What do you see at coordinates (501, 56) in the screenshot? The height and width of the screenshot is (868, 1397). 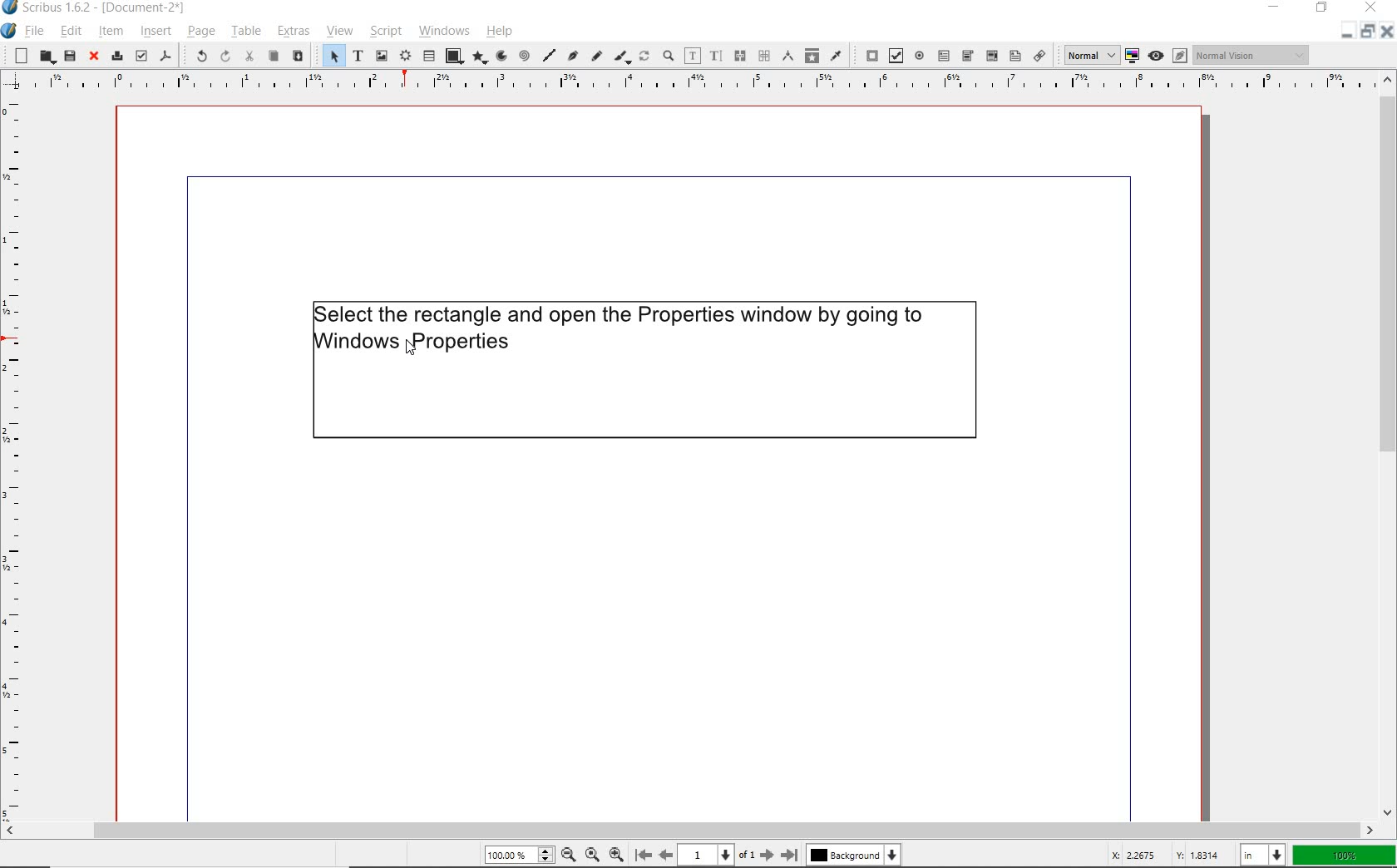 I see `arc` at bounding box center [501, 56].